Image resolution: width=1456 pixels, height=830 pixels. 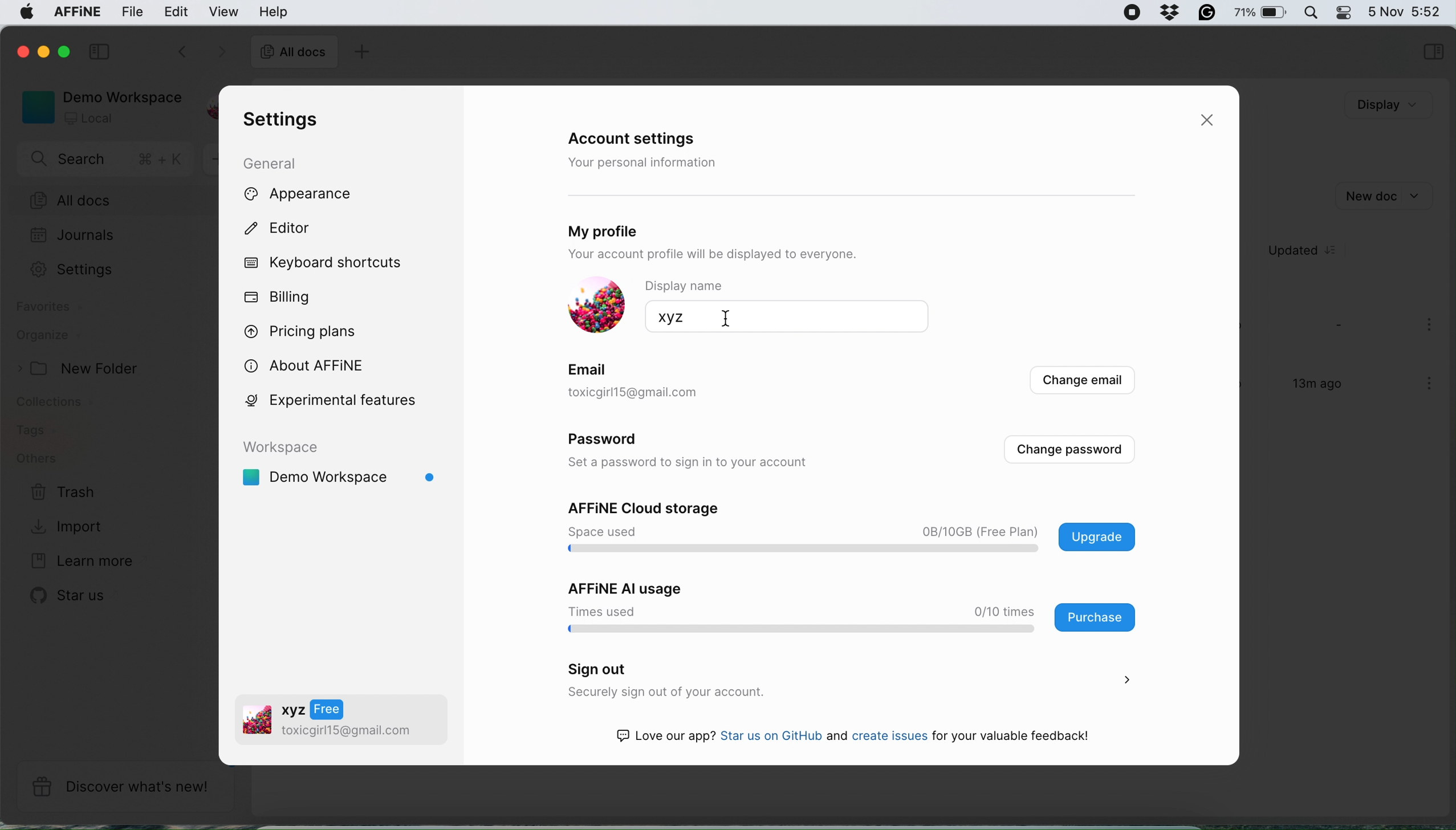 What do you see at coordinates (590, 368) in the screenshot?
I see `email` at bounding box center [590, 368].